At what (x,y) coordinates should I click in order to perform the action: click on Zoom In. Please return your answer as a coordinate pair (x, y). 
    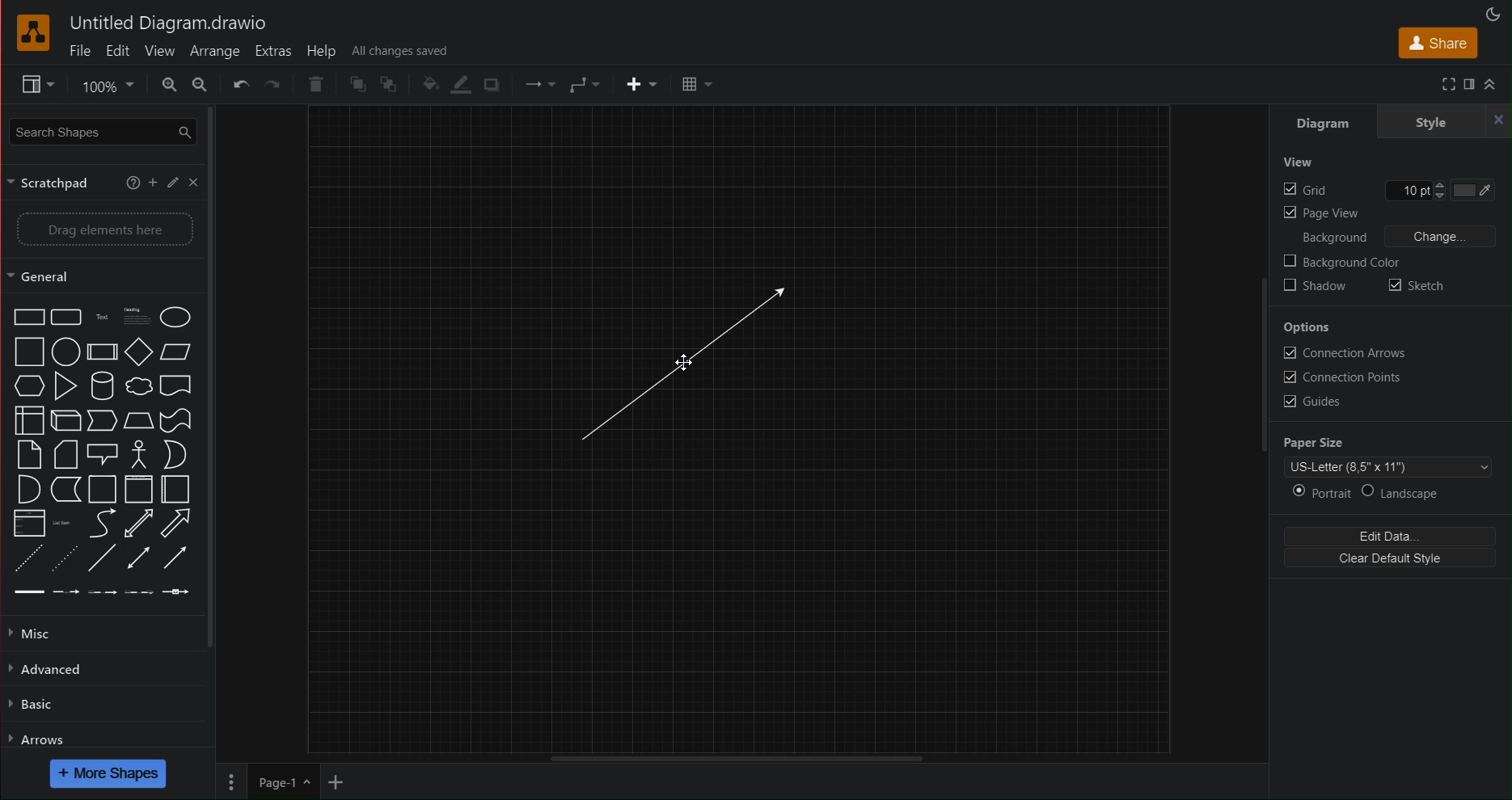
    Looking at the image, I should click on (168, 84).